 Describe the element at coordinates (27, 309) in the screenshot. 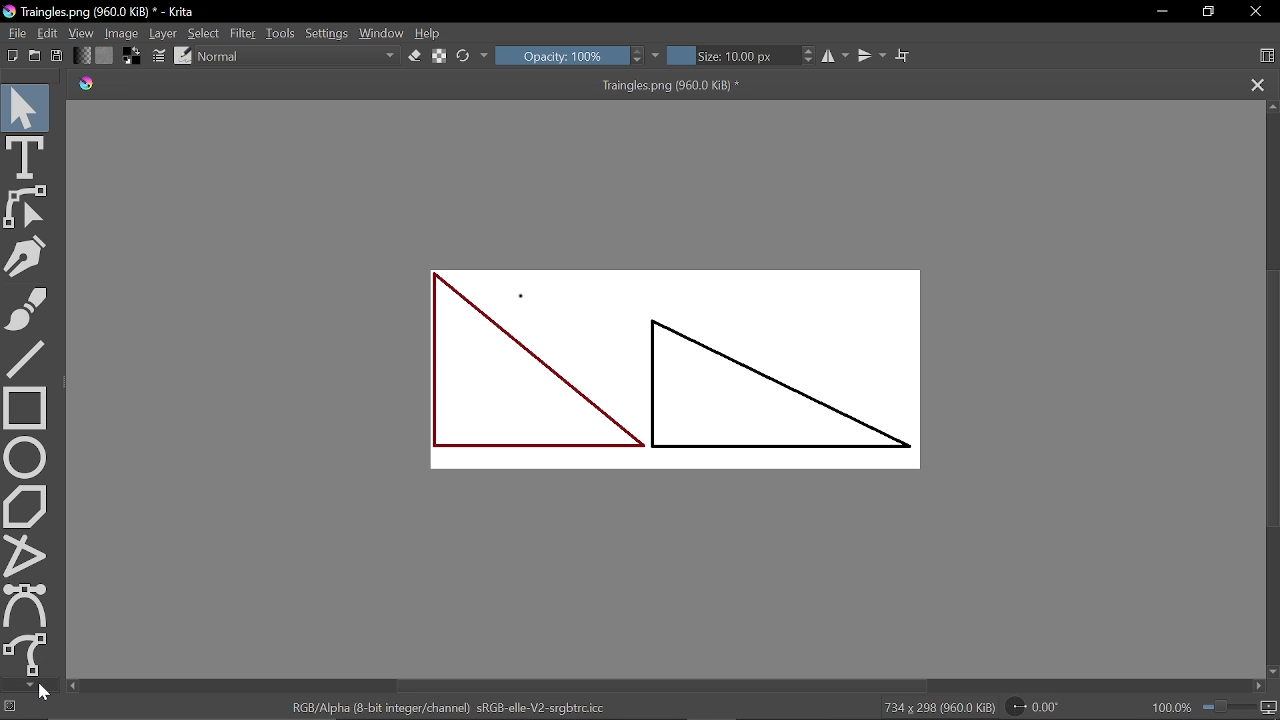

I see `Paintbrush tool` at that location.